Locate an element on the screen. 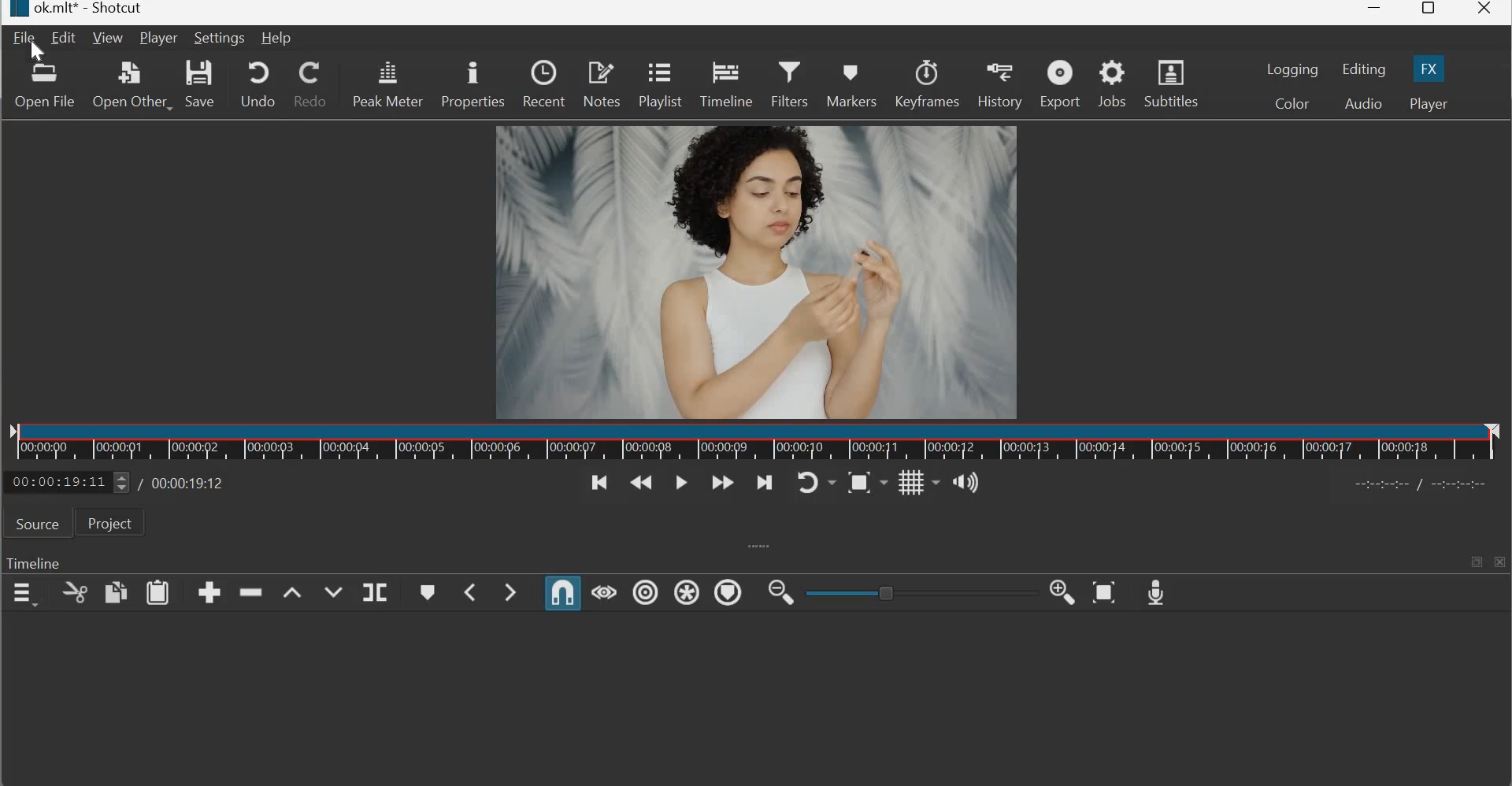  Notes is located at coordinates (601, 83).